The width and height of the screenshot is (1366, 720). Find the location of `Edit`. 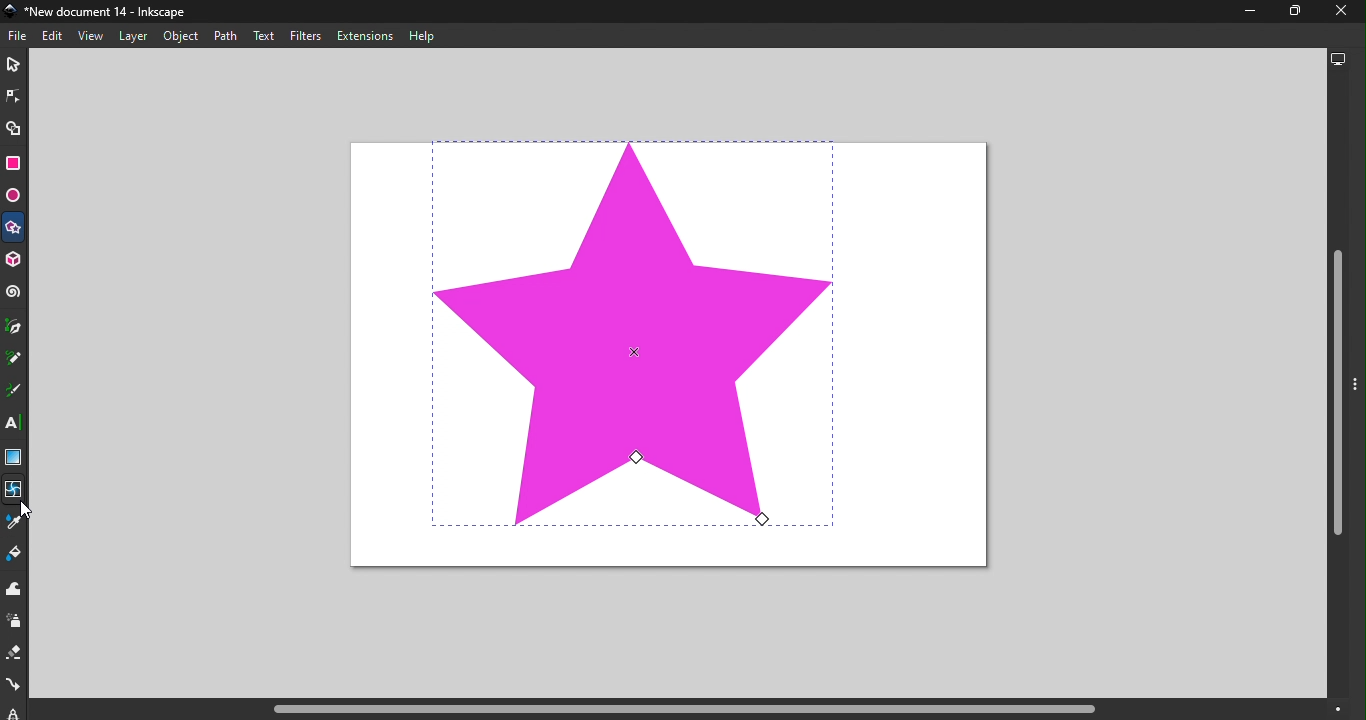

Edit is located at coordinates (55, 36).